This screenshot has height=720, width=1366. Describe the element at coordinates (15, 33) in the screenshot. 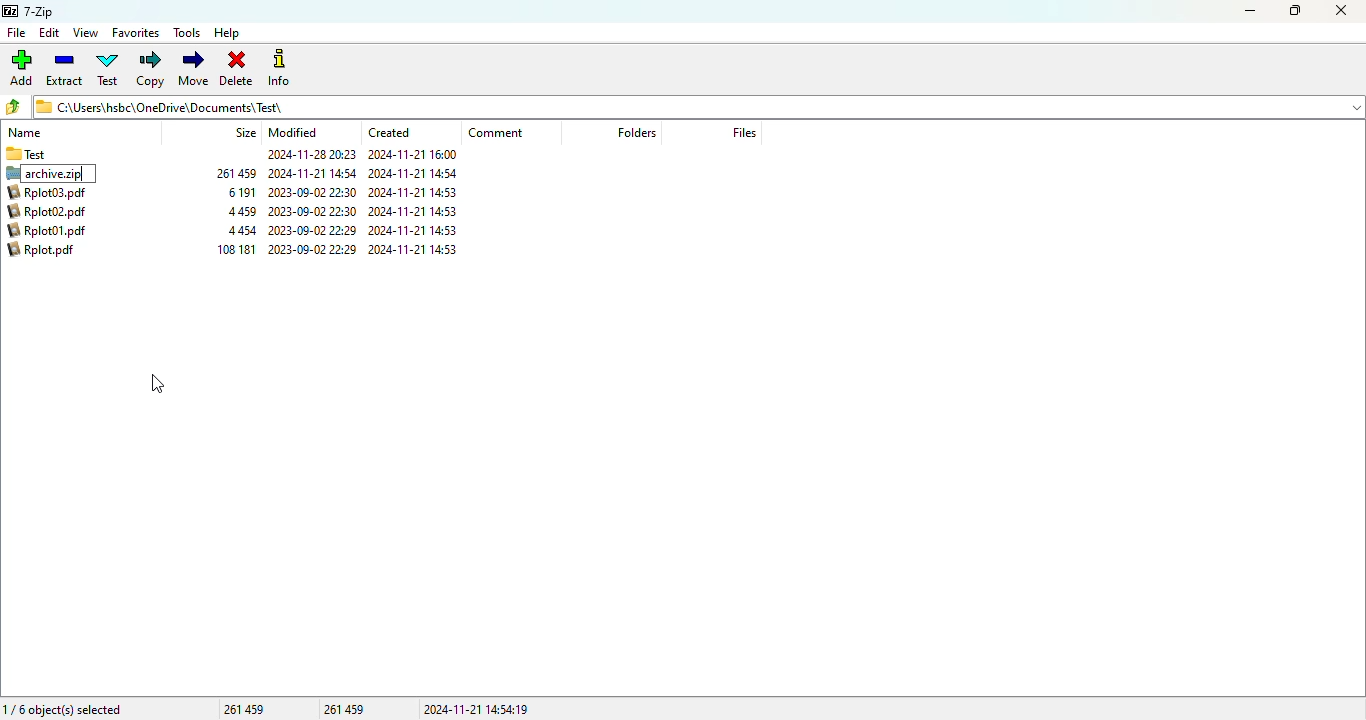

I see `file` at that location.